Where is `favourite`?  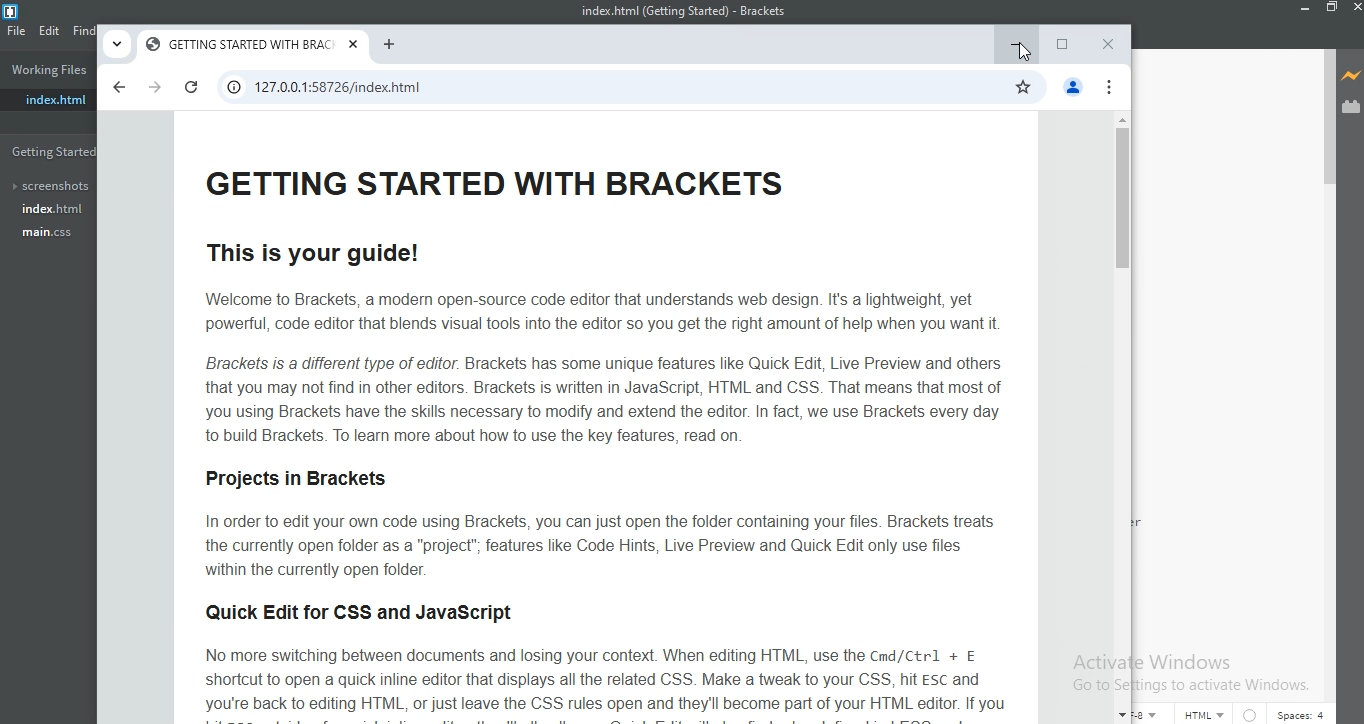 favourite is located at coordinates (1025, 87).